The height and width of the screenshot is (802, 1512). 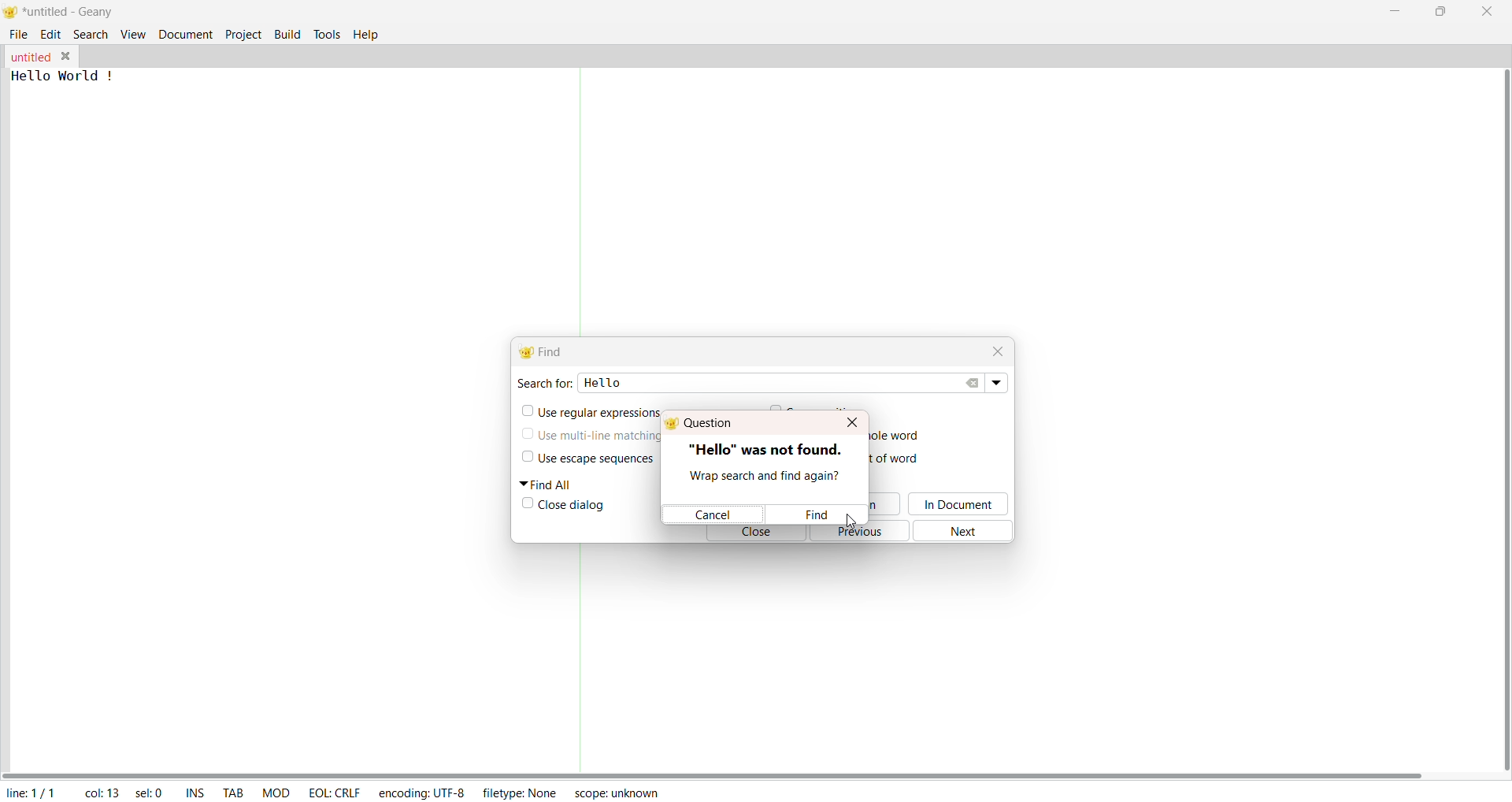 What do you see at coordinates (813, 514) in the screenshot?
I see `Find` at bounding box center [813, 514].